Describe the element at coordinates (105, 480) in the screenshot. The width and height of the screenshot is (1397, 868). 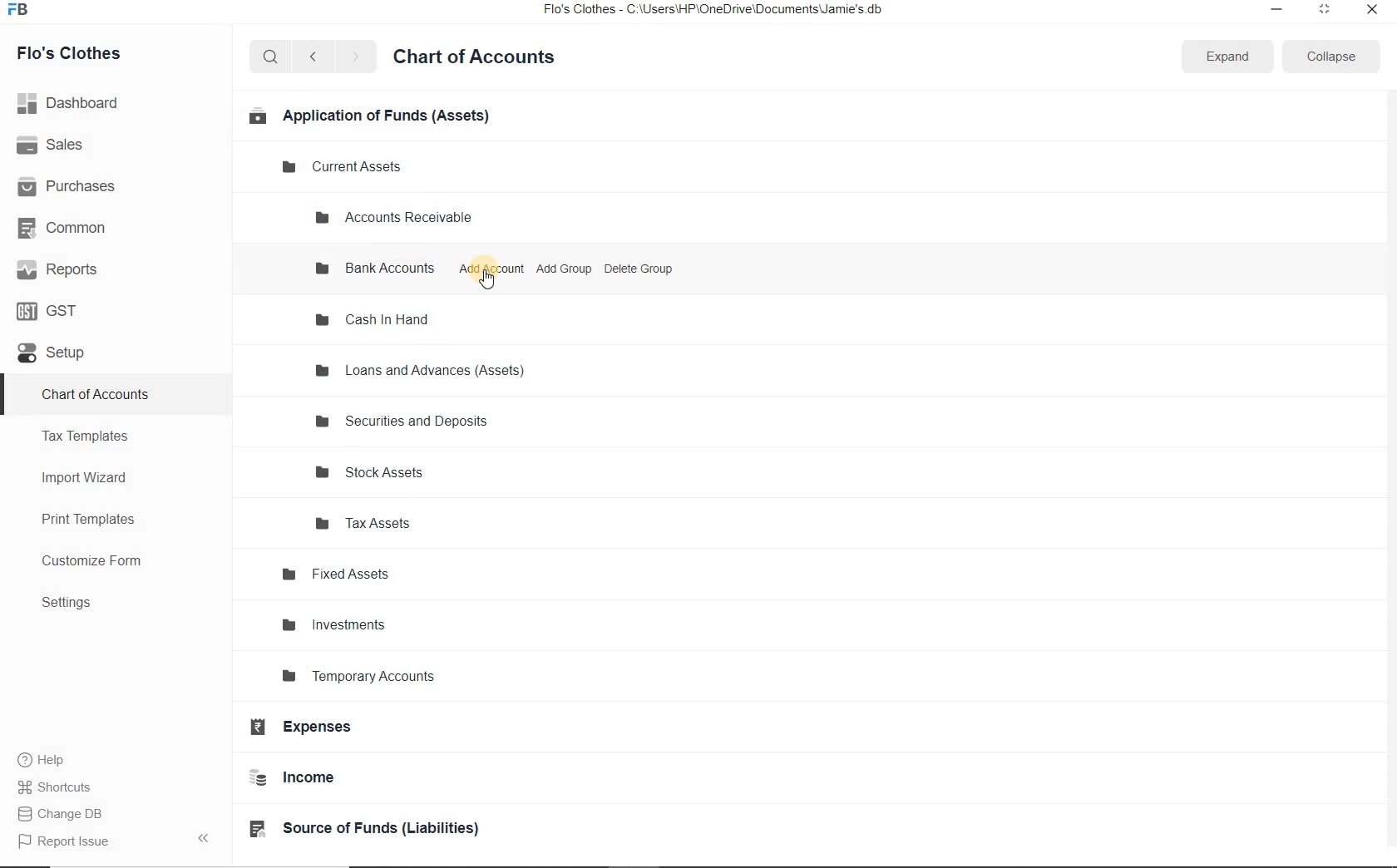
I see `Import Wizard` at that location.